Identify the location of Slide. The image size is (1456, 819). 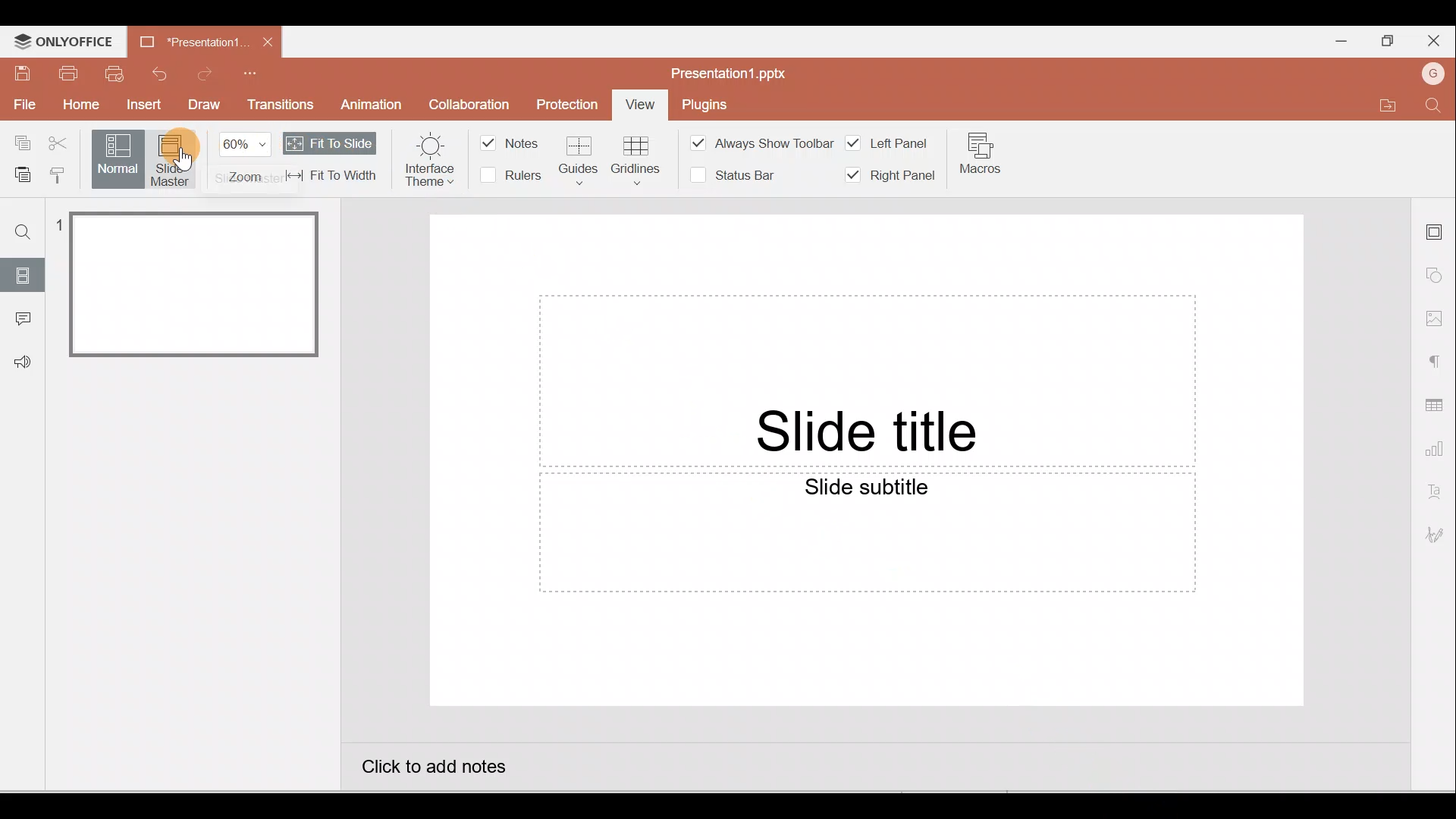
(201, 284).